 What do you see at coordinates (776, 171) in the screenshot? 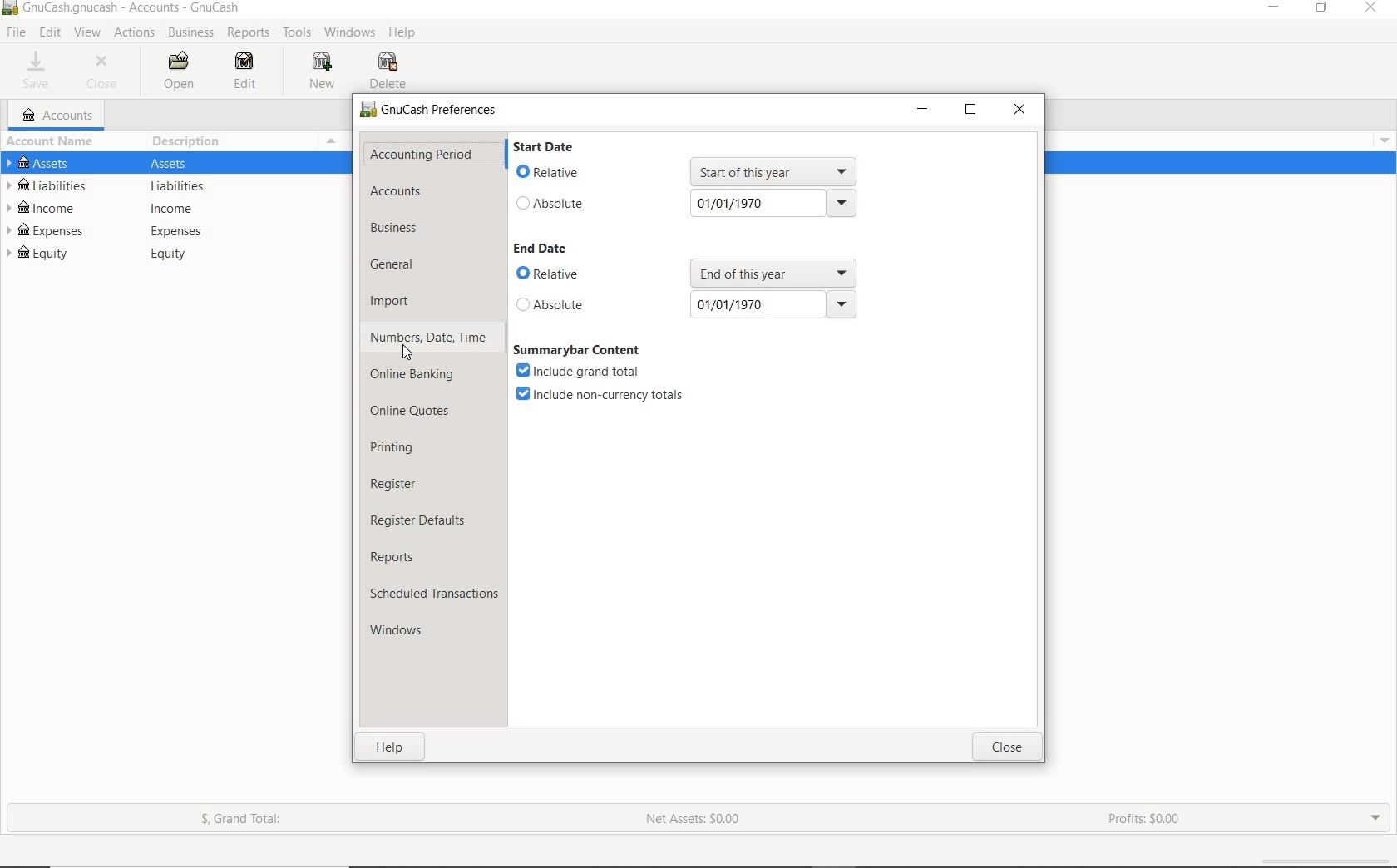
I see `start of this year` at bounding box center [776, 171].